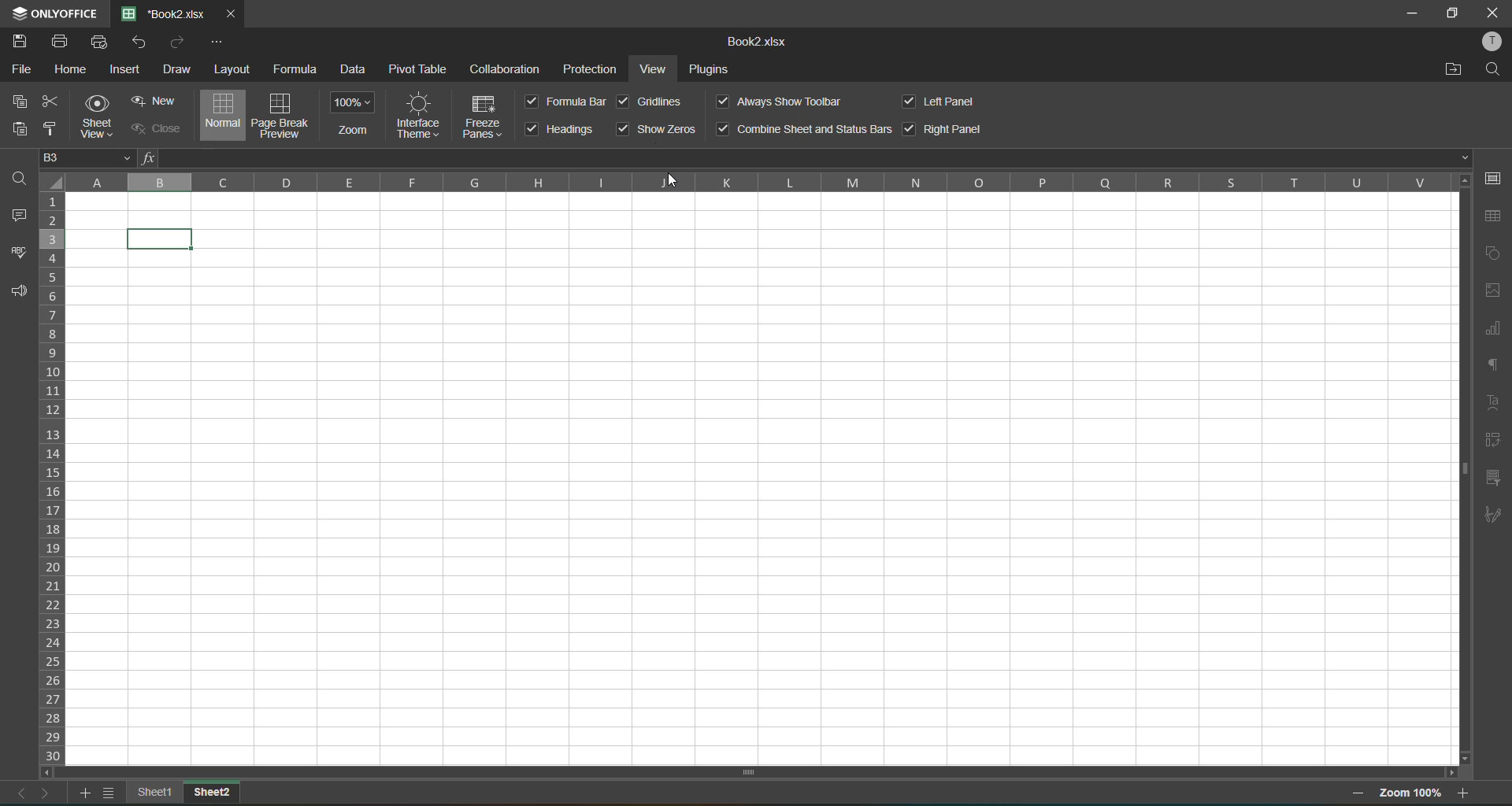 This screenshot has height=806, width=1512. What do you see at coordinates (47, 793) in the screenshot?
I see `next` at bounding box center [47, 793].